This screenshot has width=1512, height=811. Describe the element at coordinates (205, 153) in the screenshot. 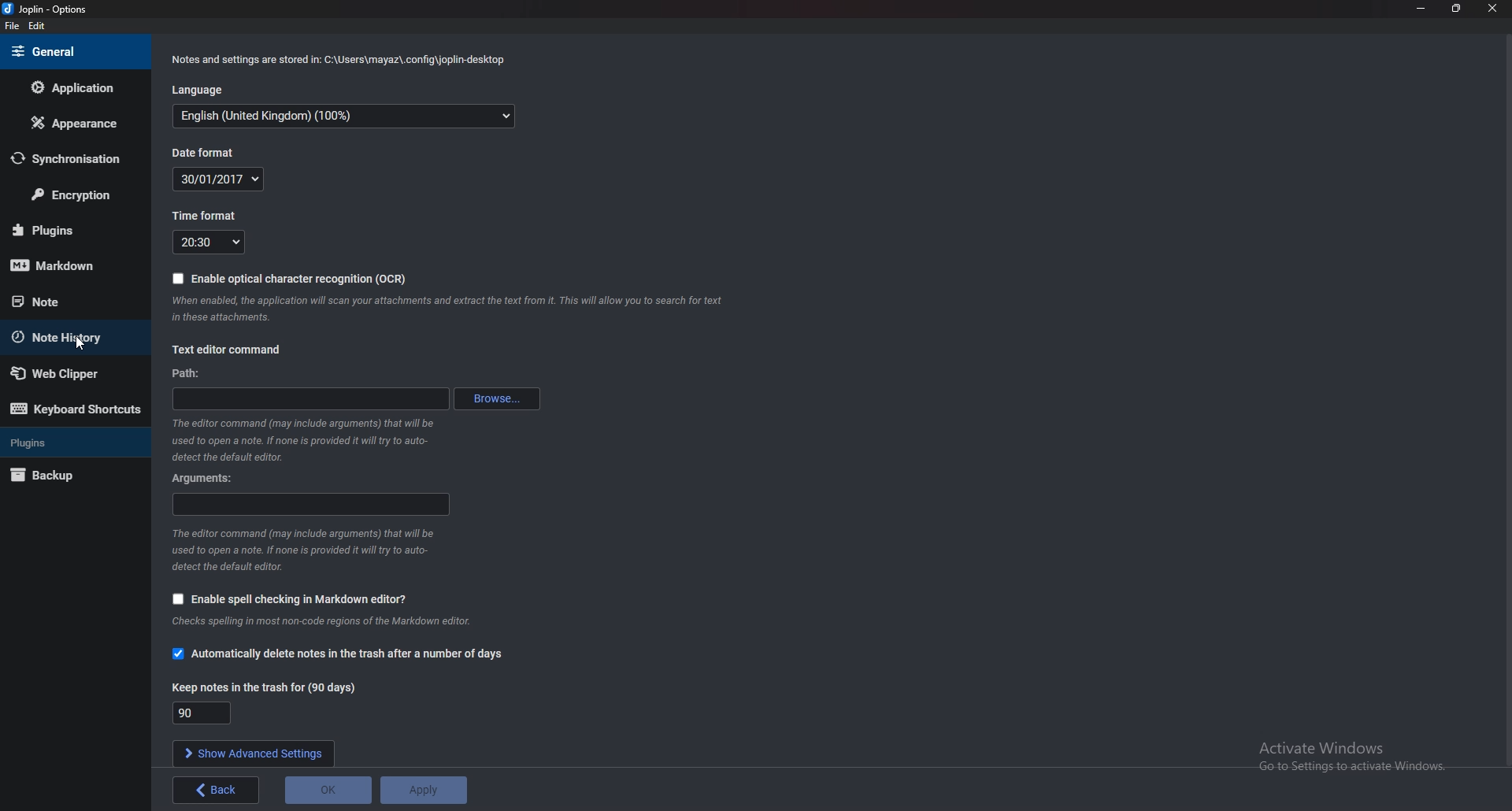

I see `Date format` at that location.